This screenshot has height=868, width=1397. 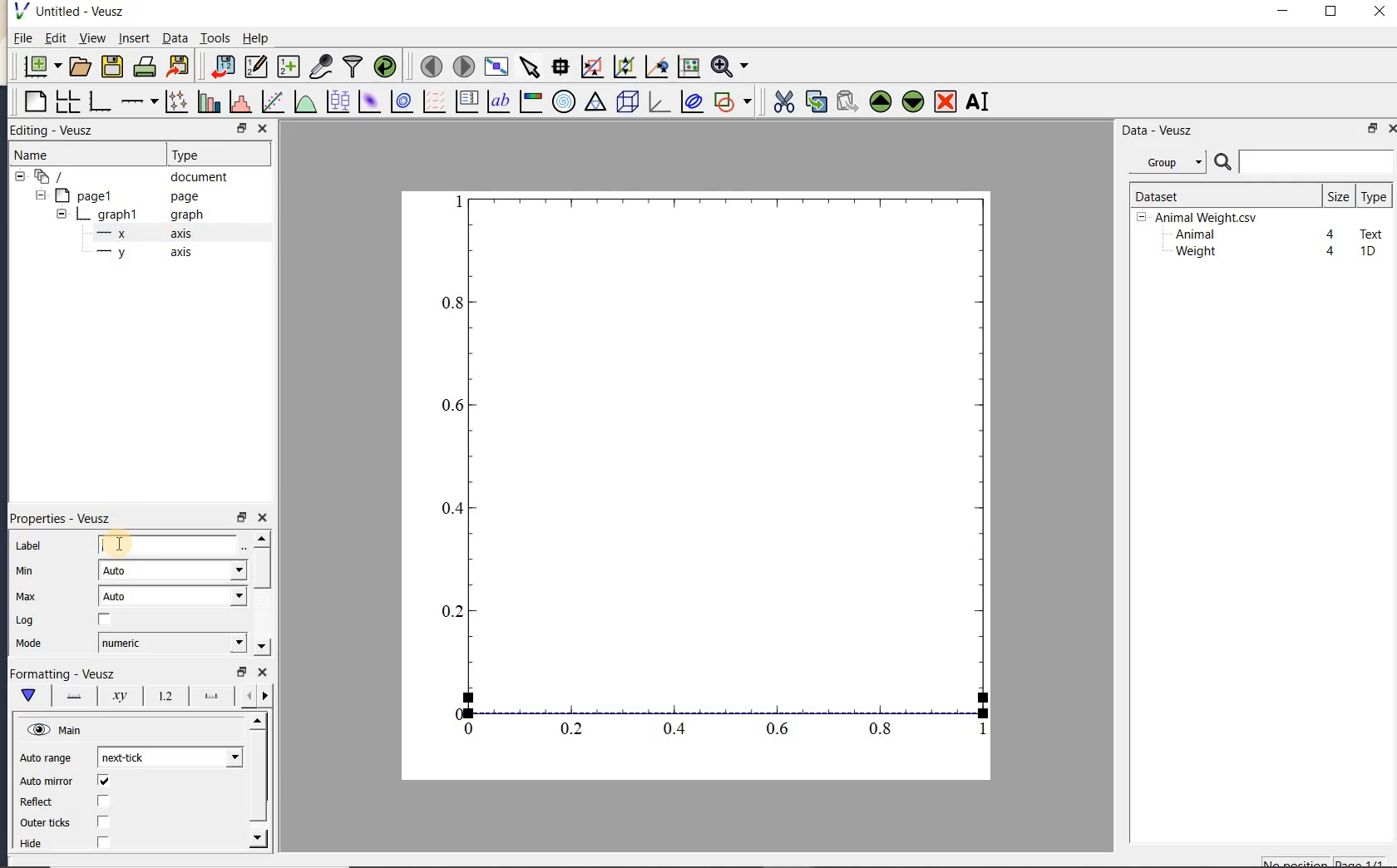 What do you see at coordinates (178, 101) in the screenshot?
I see `plot points with lines and errorbars` at bounding box center [178, 101].